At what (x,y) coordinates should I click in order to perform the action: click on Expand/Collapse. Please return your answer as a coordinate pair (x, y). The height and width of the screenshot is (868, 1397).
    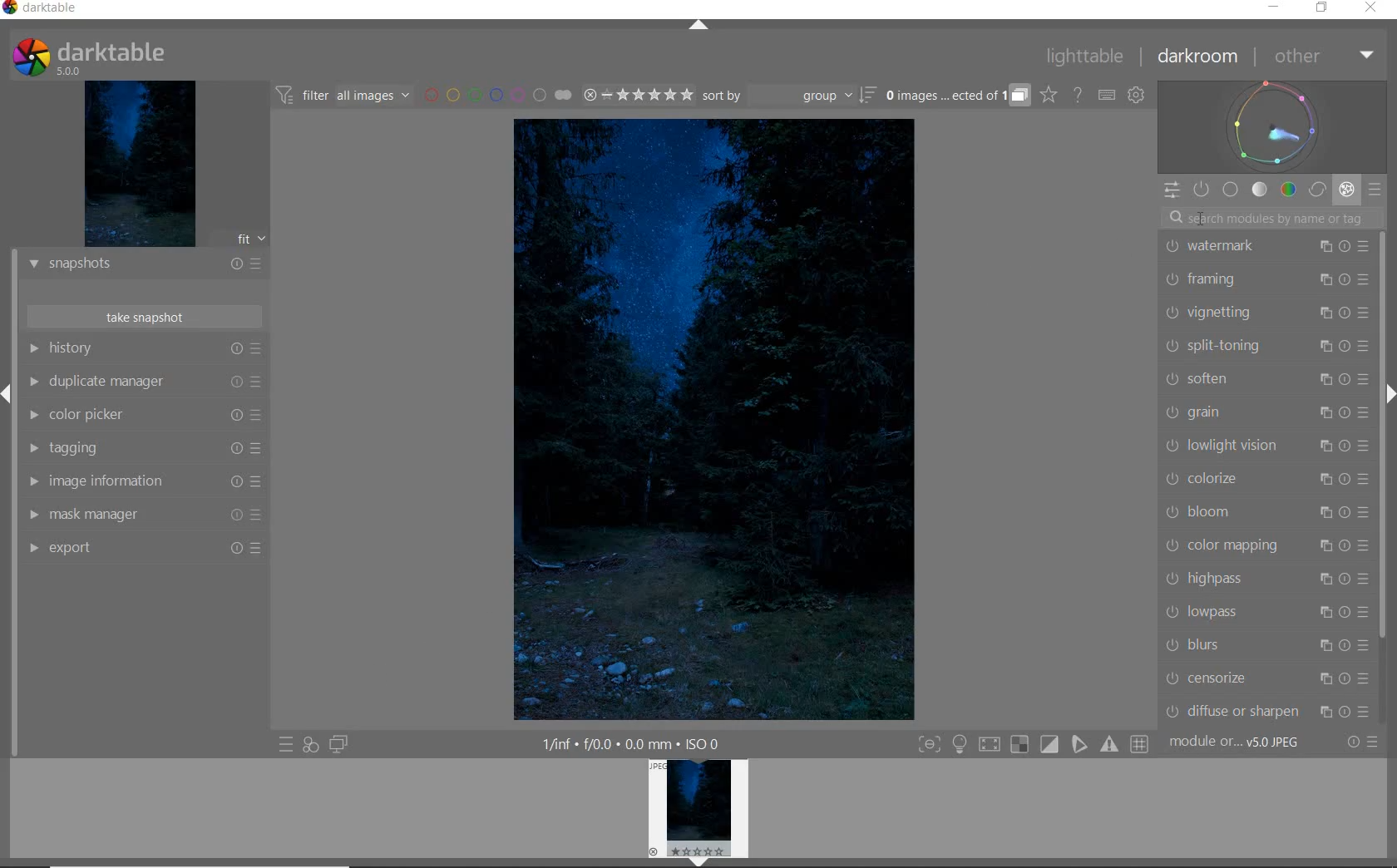
    Looking at the image, I should click on (8, 392).